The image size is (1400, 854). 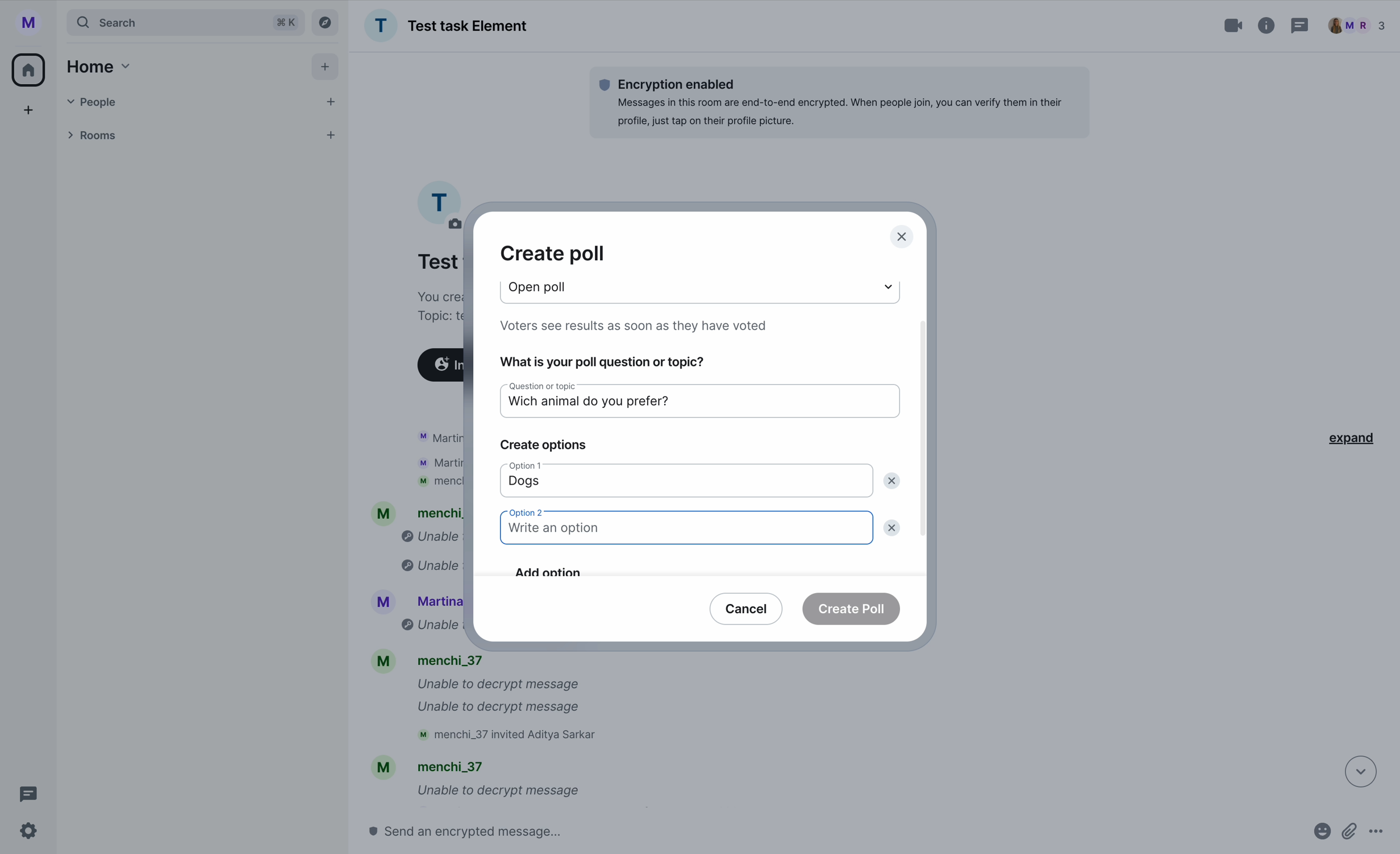 What do you see at coordinates (642, 326) in the screenshot?
I see `Voters see results as soon as they have voted` at bounding box center [642, 326].